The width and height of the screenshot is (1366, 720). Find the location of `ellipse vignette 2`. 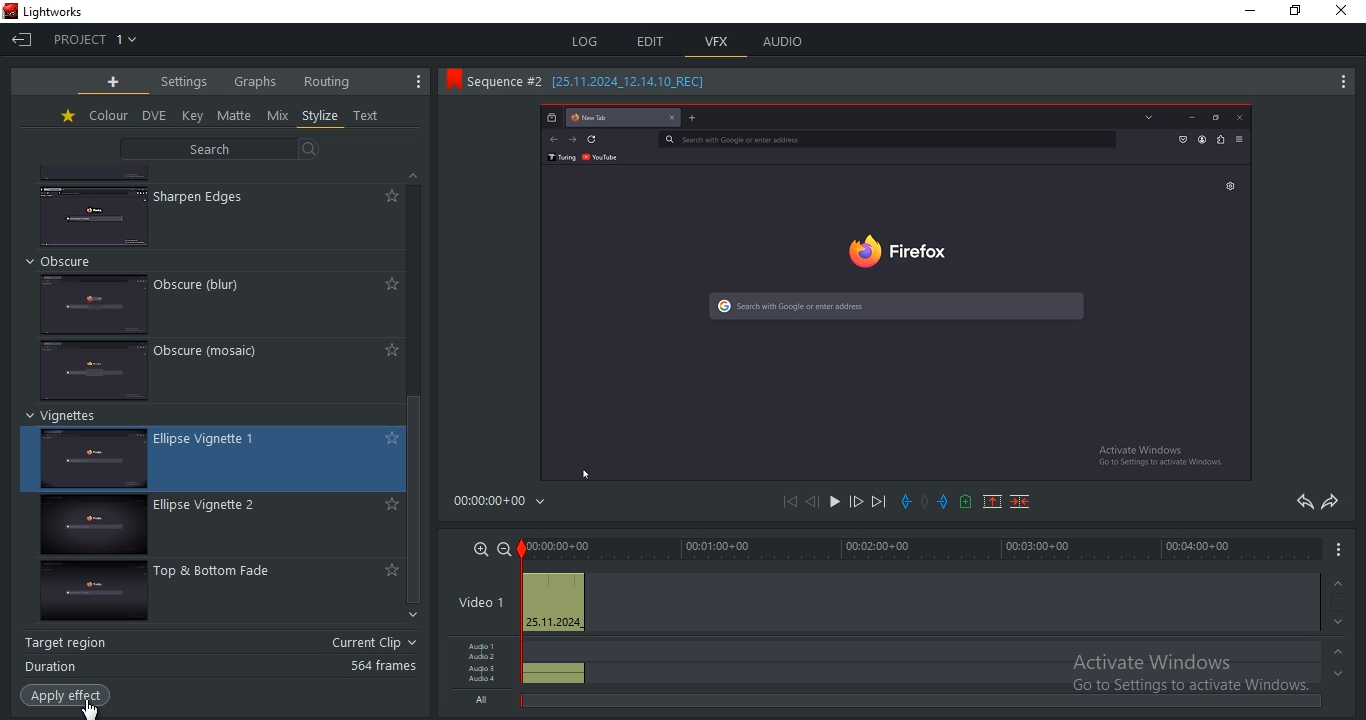

ellipse vignette 2 is located at coordinates (90, 527).